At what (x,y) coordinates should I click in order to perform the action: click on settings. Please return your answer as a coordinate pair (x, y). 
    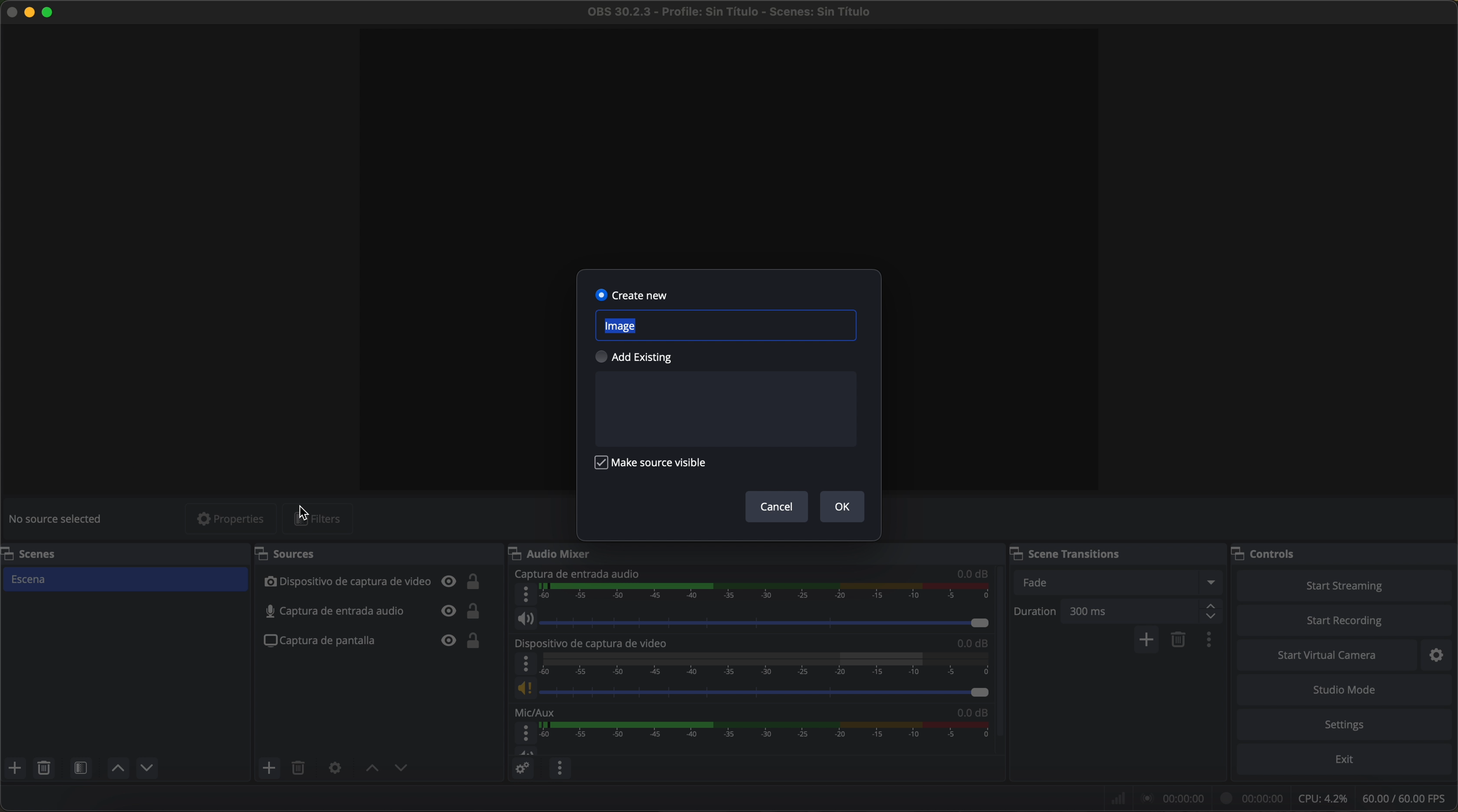
    Looking at the image, I should click on (1348, 725).